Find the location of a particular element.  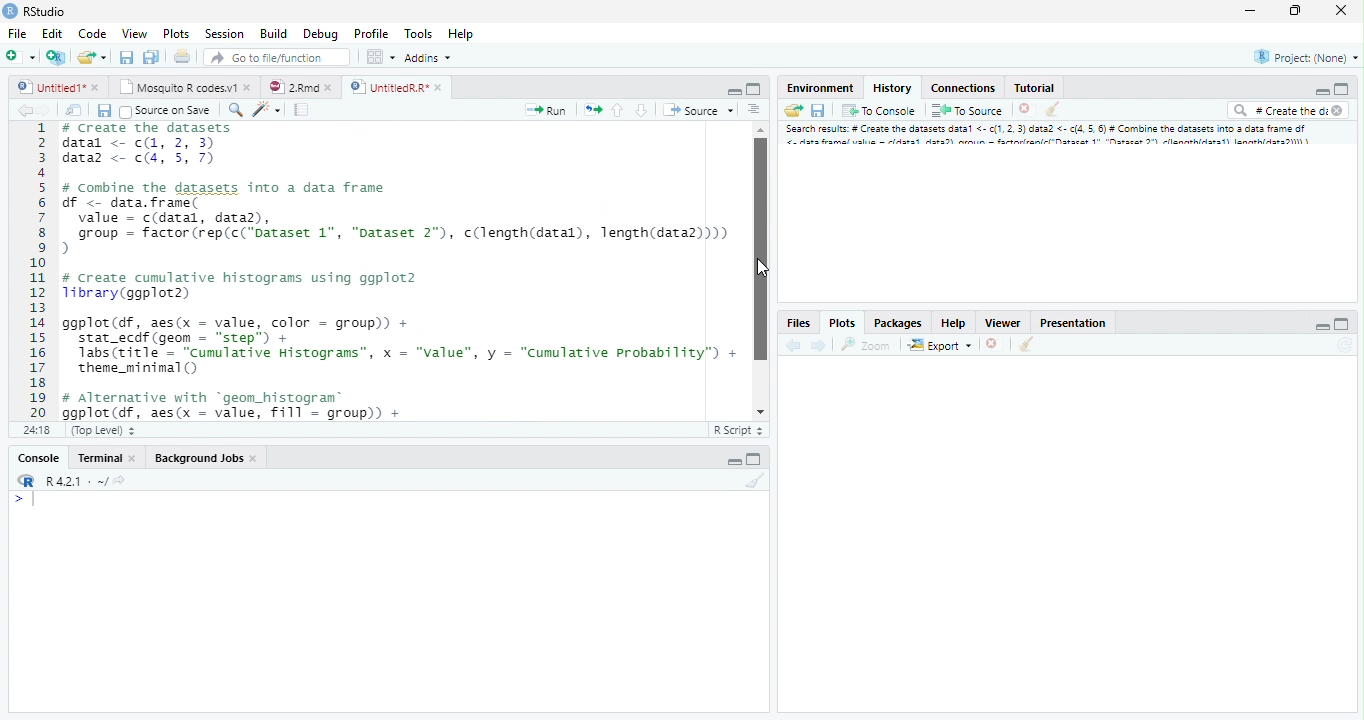

Plots is located at coordinates (841, 322).